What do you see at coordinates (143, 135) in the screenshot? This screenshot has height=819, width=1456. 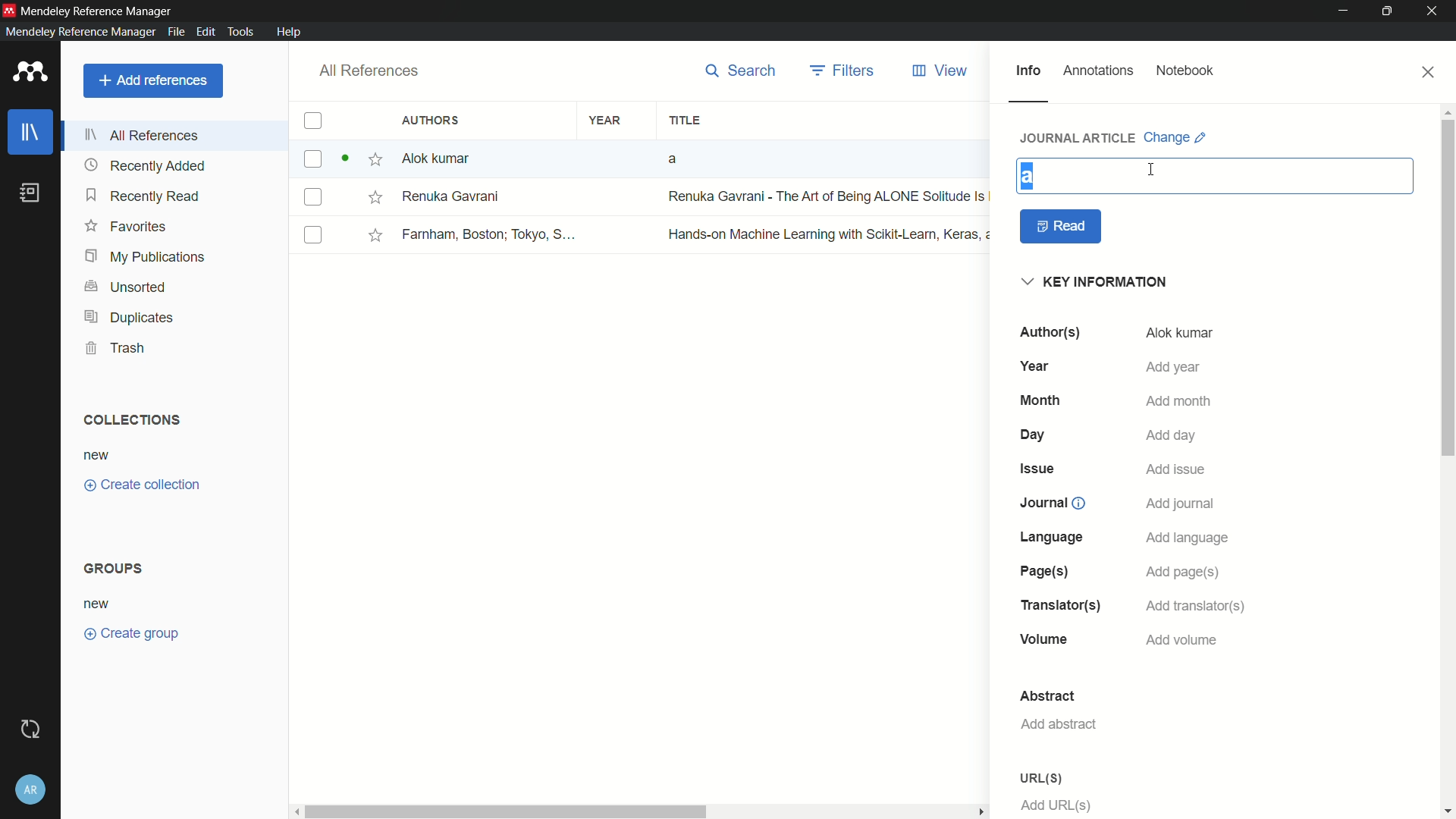 I see `all references` at bounding box center [143, 135].